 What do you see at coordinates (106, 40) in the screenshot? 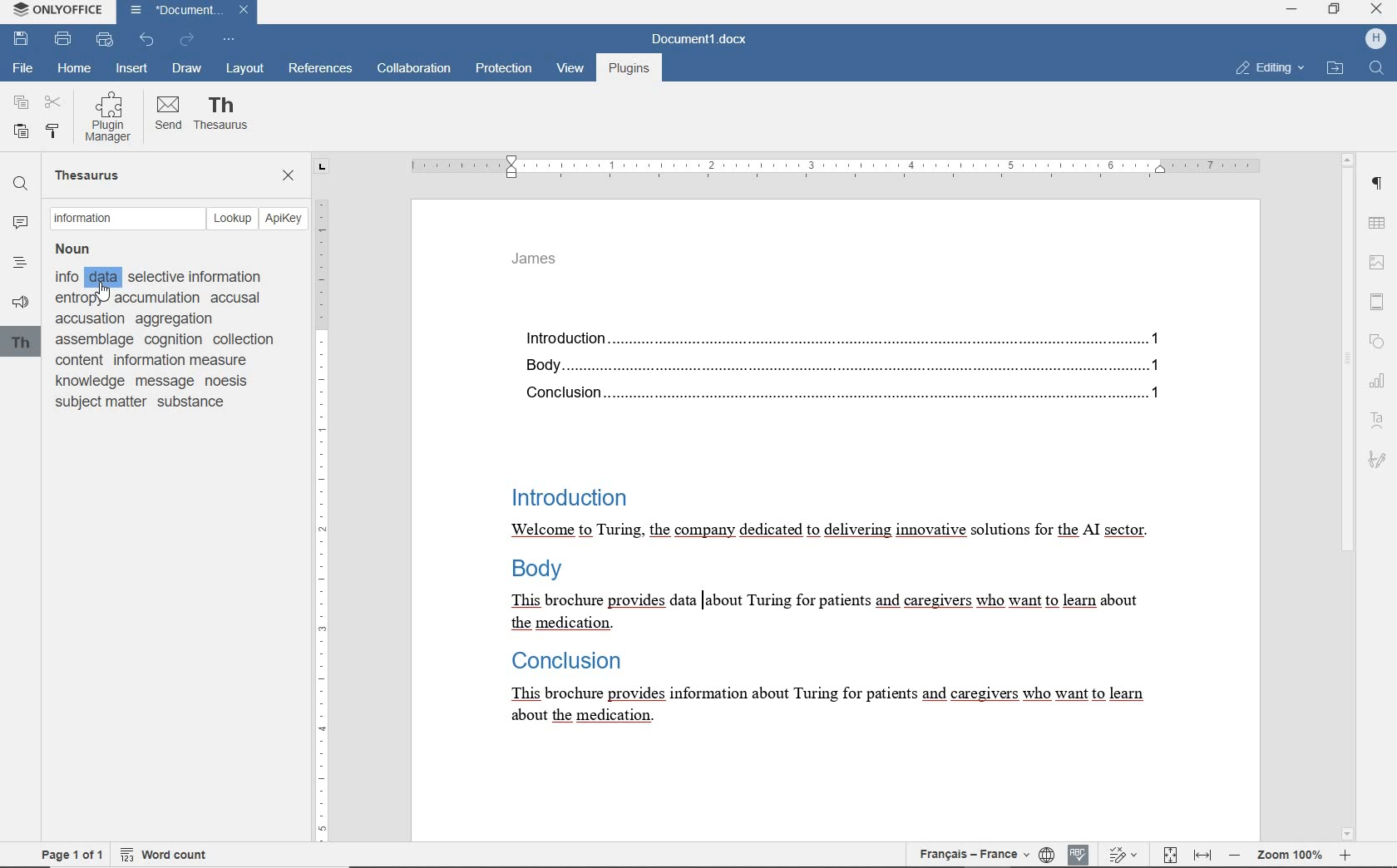
I see `QUICK PRINT` at bounding box center [106, 40].